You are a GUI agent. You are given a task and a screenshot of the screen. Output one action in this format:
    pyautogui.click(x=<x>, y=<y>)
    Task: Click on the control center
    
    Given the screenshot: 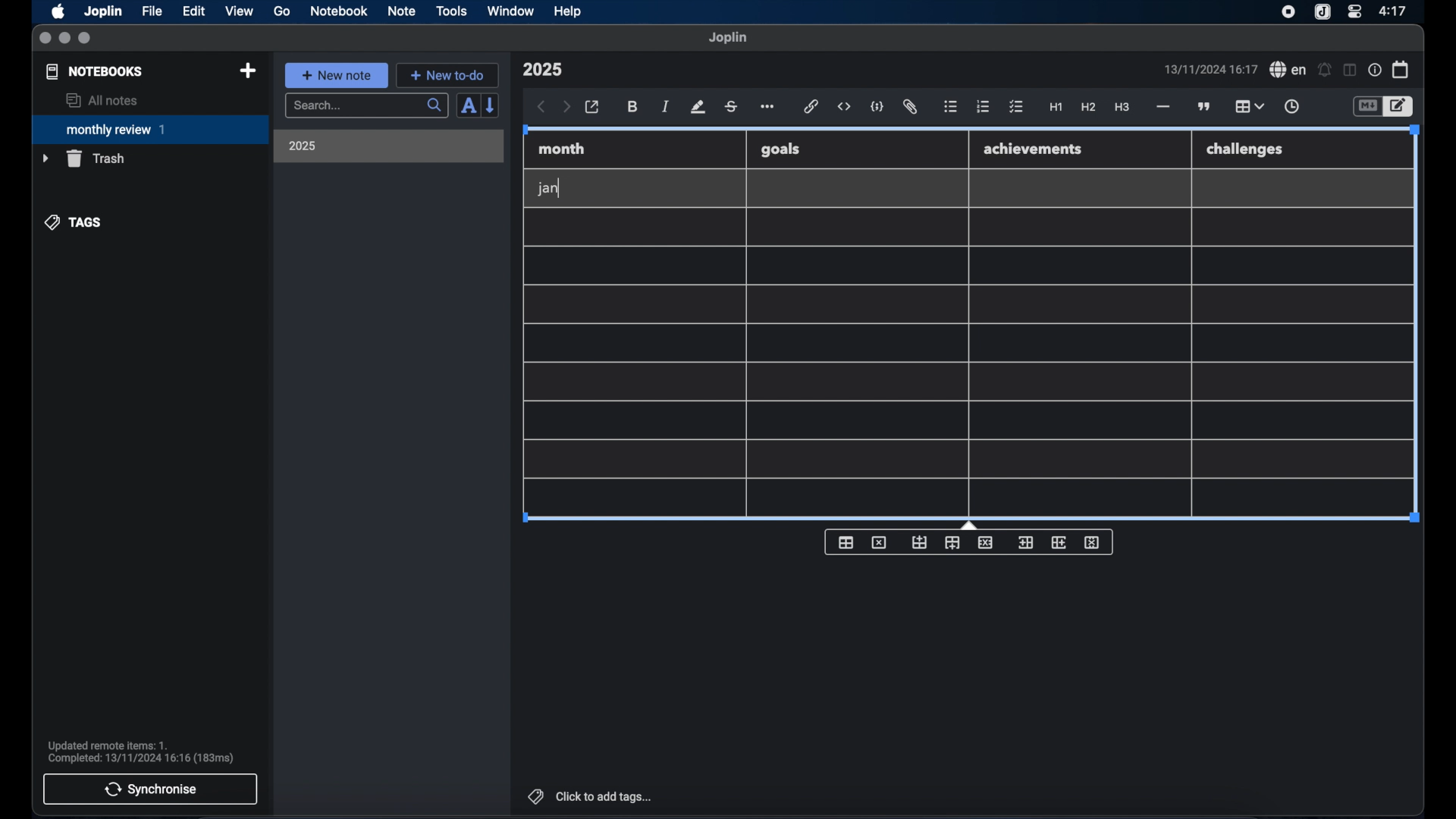 What is the action you would take?
    pyautogui.click(x=1354, y=11)
    